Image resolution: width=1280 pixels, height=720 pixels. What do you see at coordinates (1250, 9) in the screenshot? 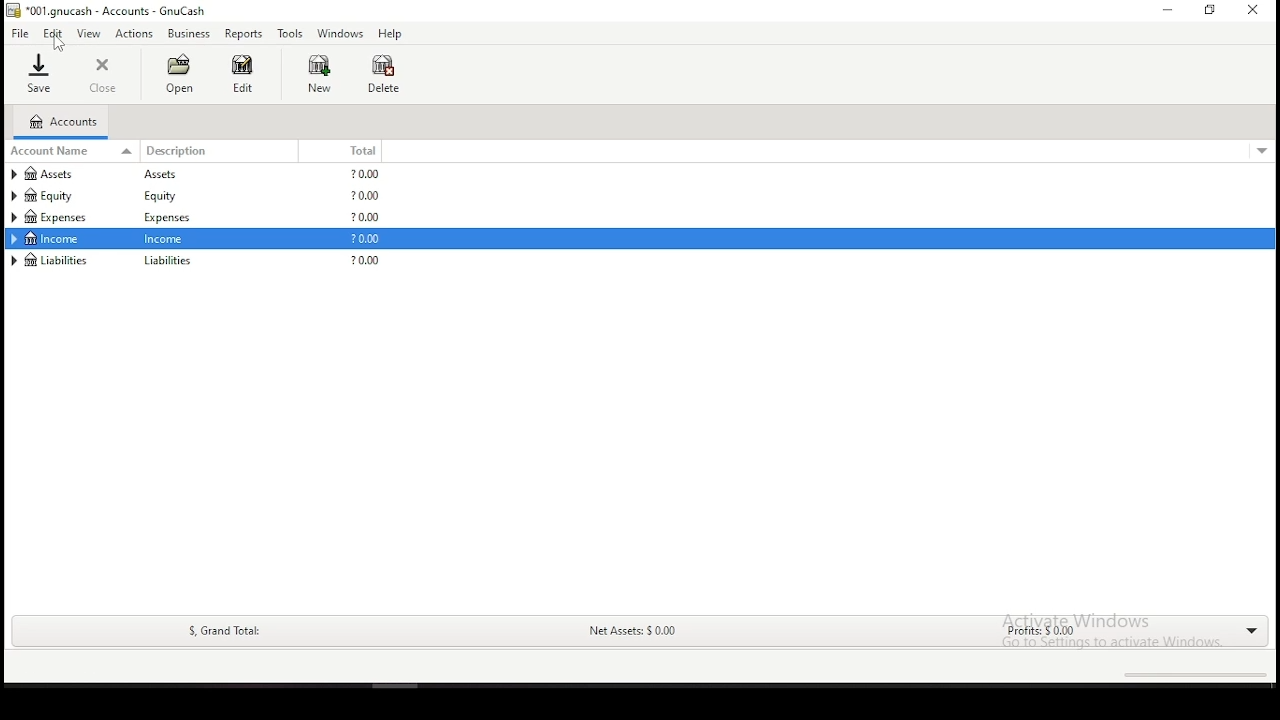
I see `close window` at bounding box center [1250, 9].